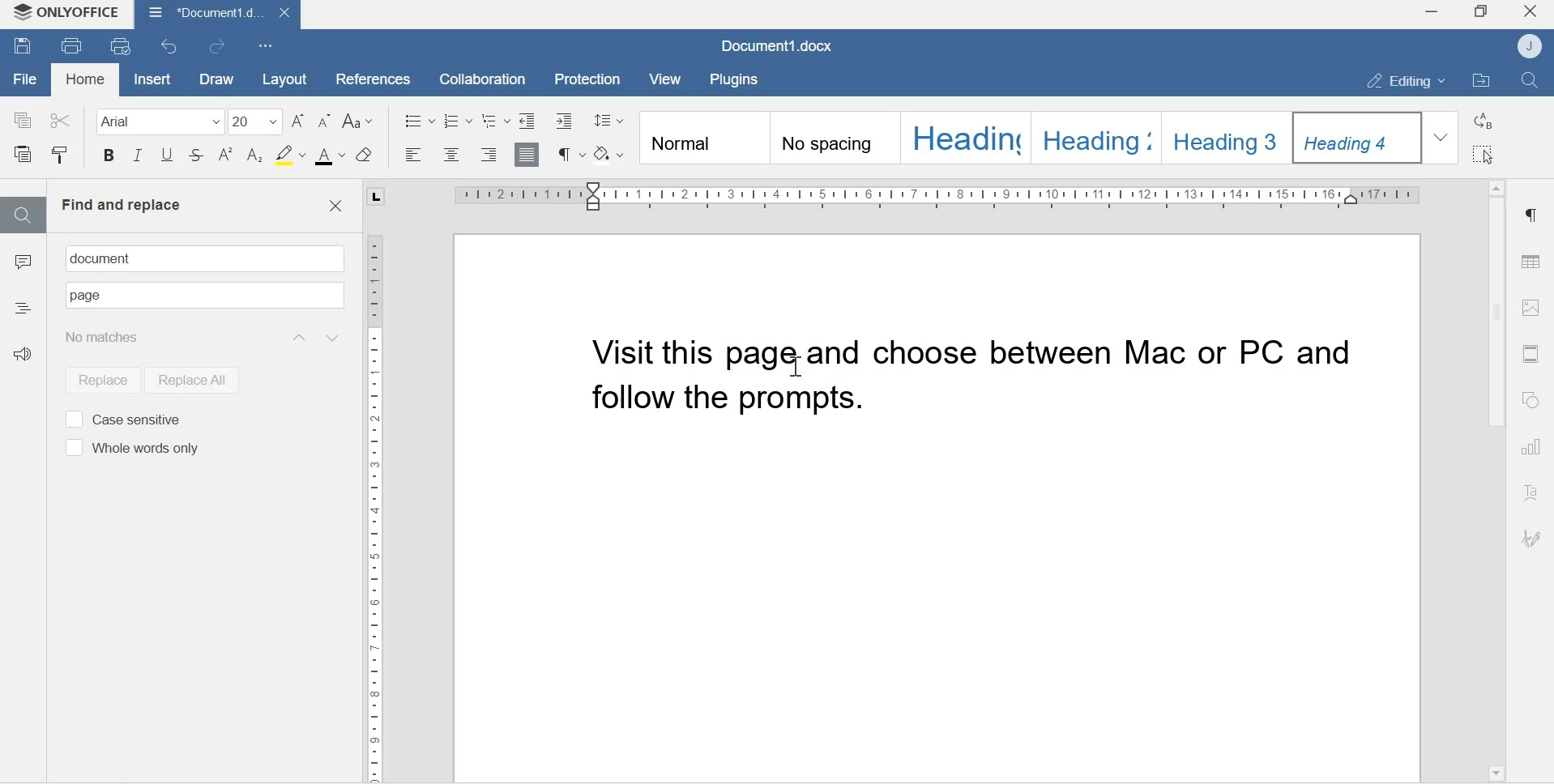 The width and height of the screenshot is (1554, 784). Describe the element at coordinates (1531, 258) in the screenshot. I see `Table` at that location.